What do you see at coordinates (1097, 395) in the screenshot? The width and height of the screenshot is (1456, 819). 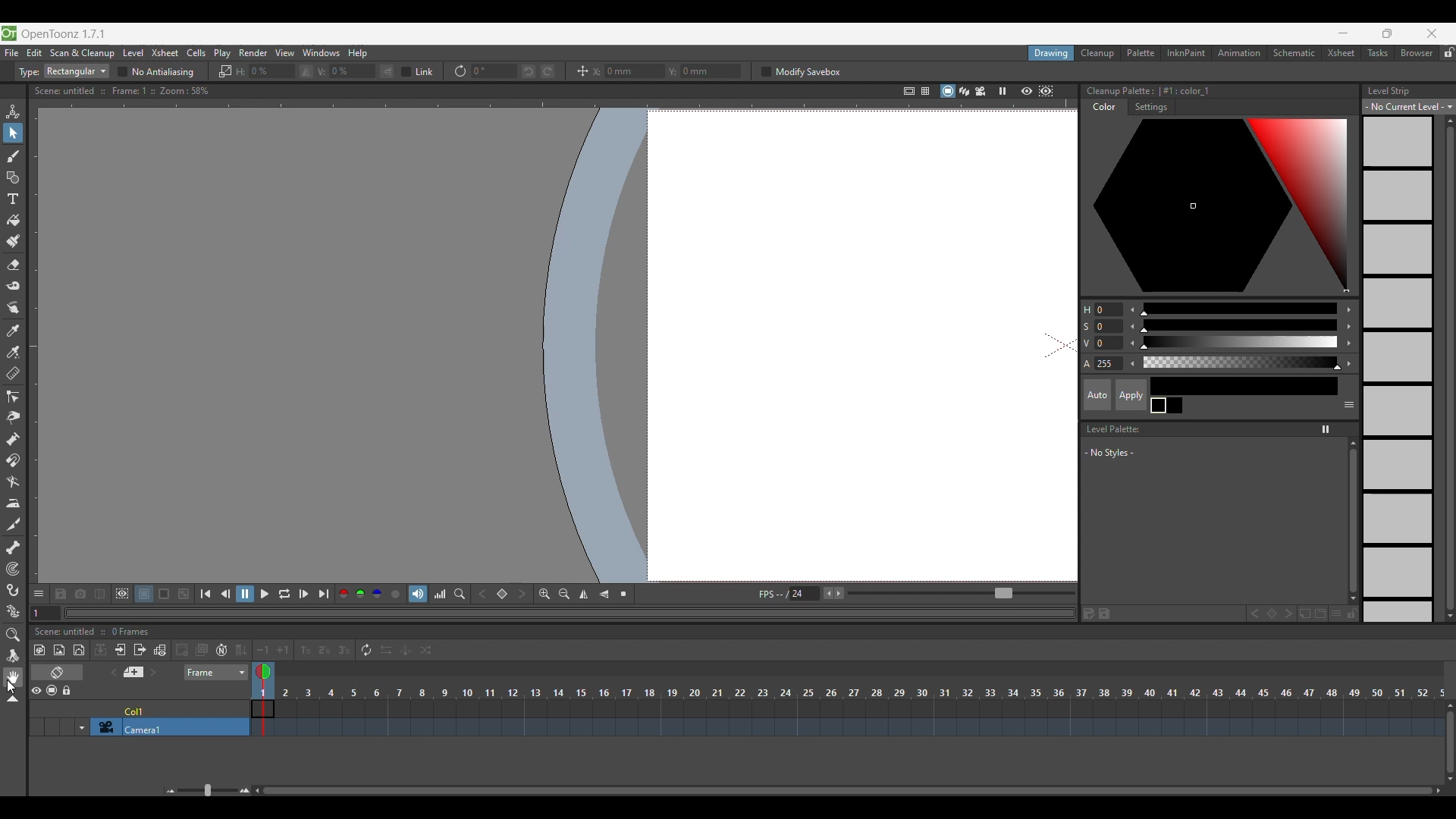 I see `Auto` at bounding box center [1097, 395].